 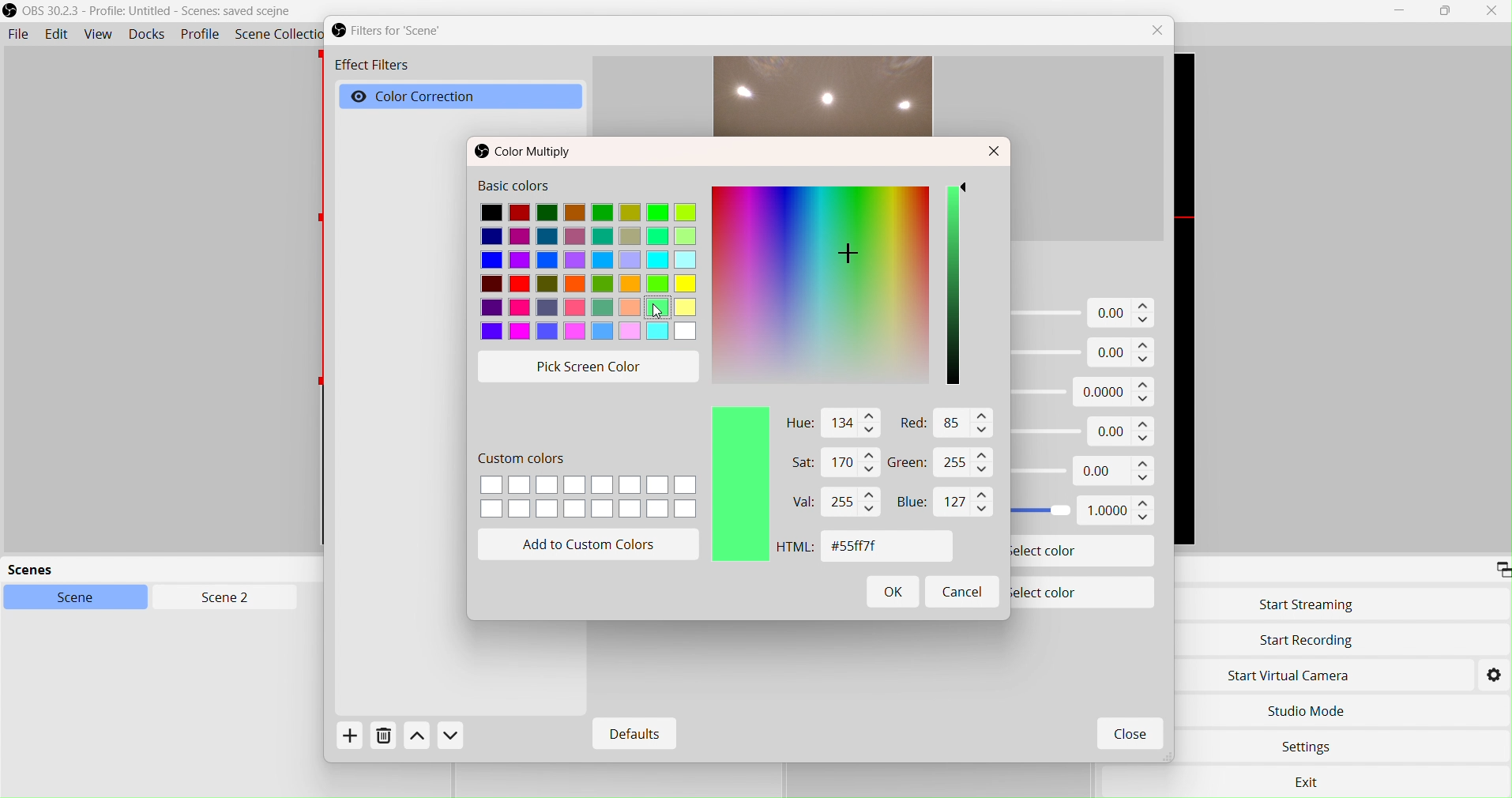 What do you see at coordinates (589, 489) in the screenshot?
I see `Custom Colors` at bounding box center [589, 489].